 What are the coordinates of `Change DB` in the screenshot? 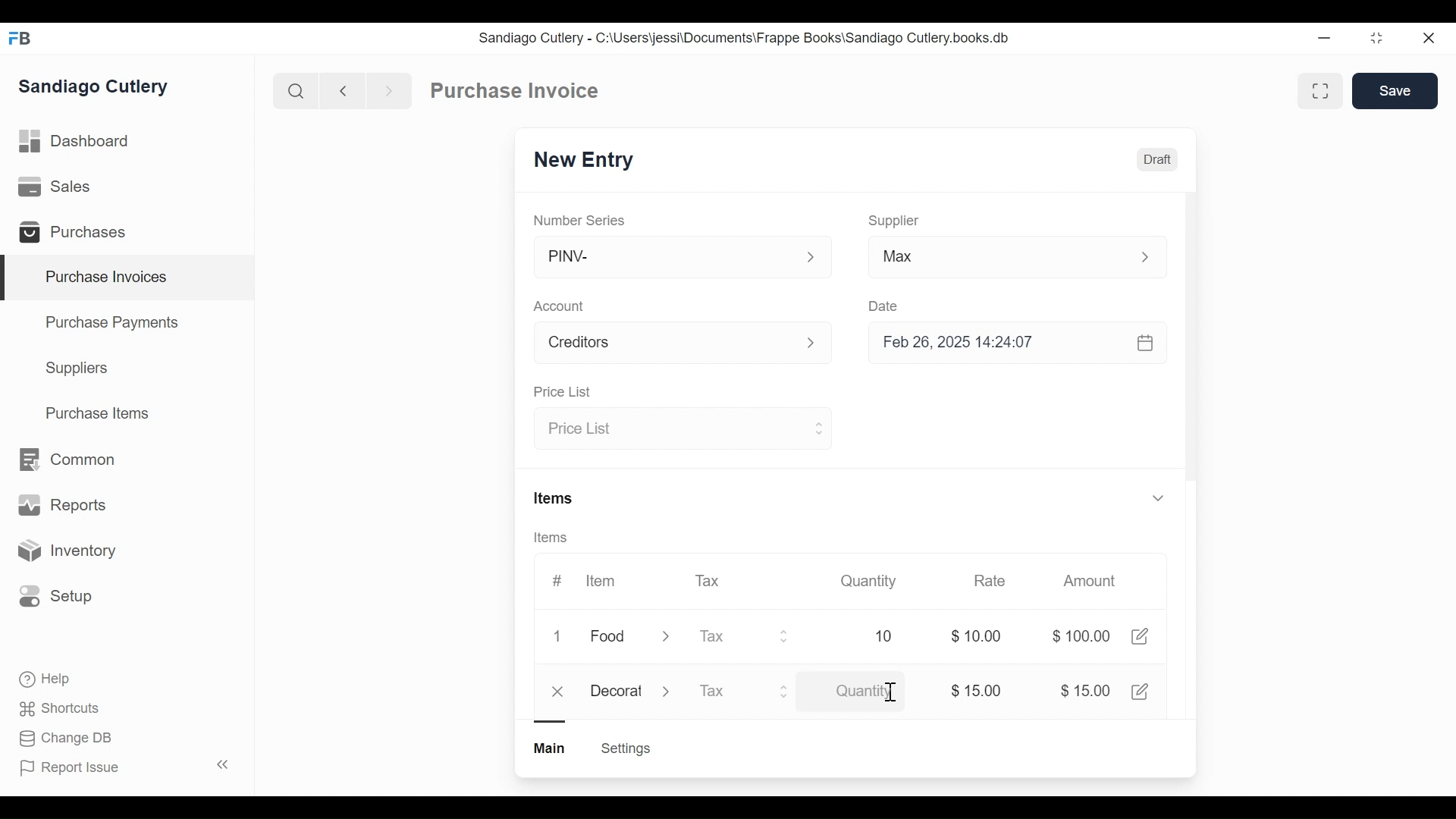 It's located at (68, 739).